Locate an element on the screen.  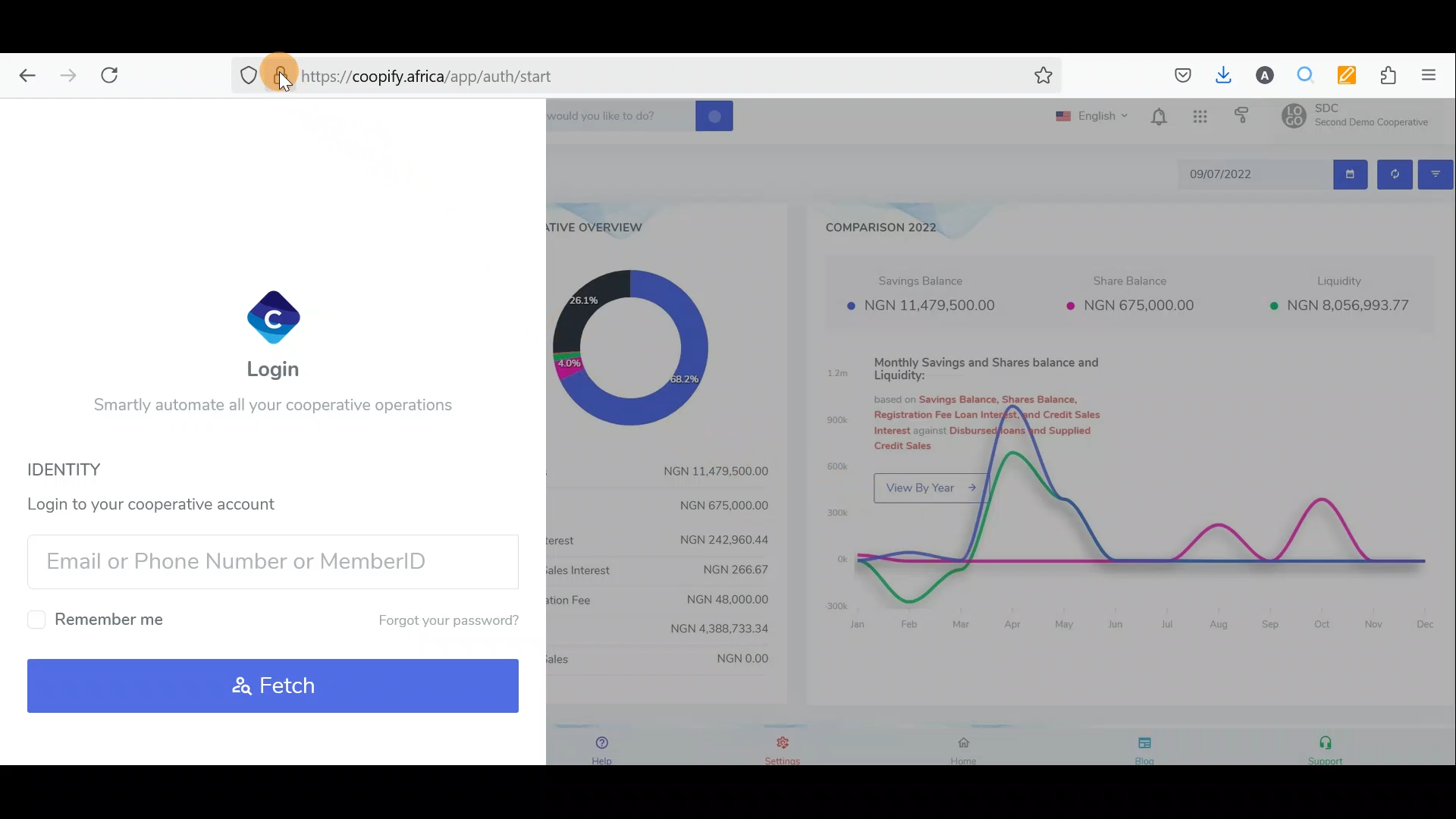
Search bar is located at coordinates (473, 80).